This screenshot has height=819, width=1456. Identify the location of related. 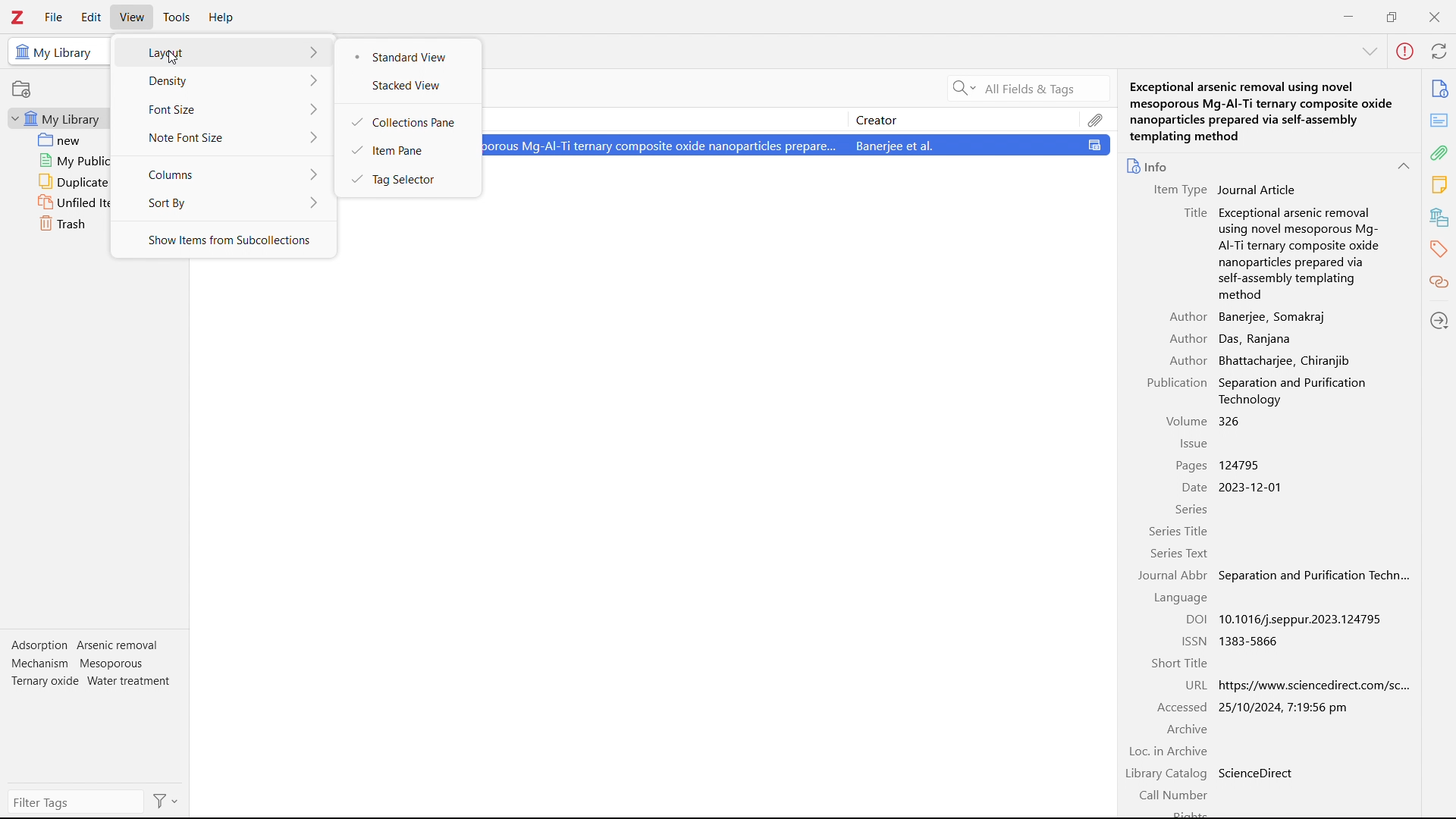
(1439, 281).